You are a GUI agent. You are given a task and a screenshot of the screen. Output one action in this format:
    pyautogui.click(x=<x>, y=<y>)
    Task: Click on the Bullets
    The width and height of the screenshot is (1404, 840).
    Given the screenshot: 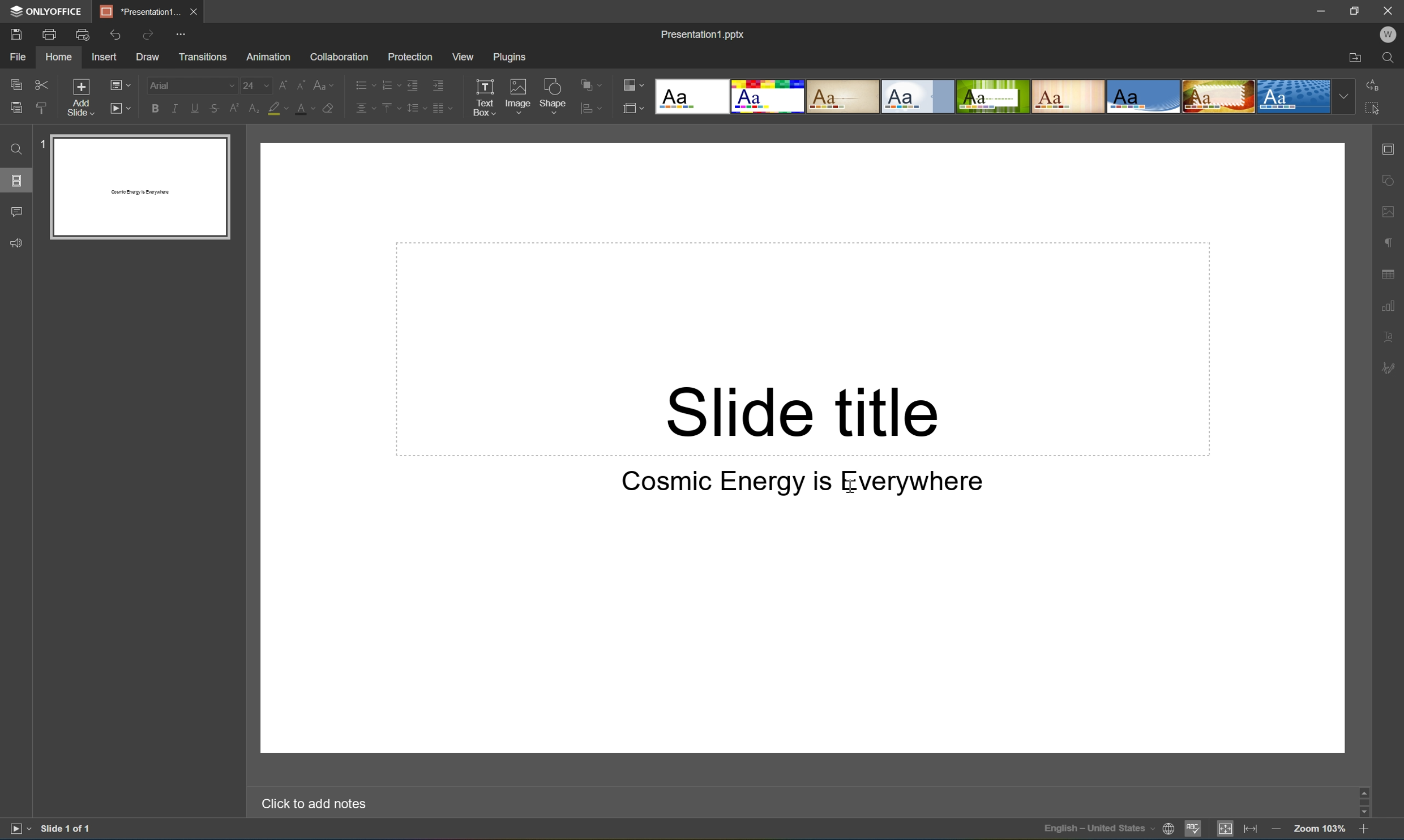 What is the action you would take?
    pyautogui.click(x=362, y=84)
    